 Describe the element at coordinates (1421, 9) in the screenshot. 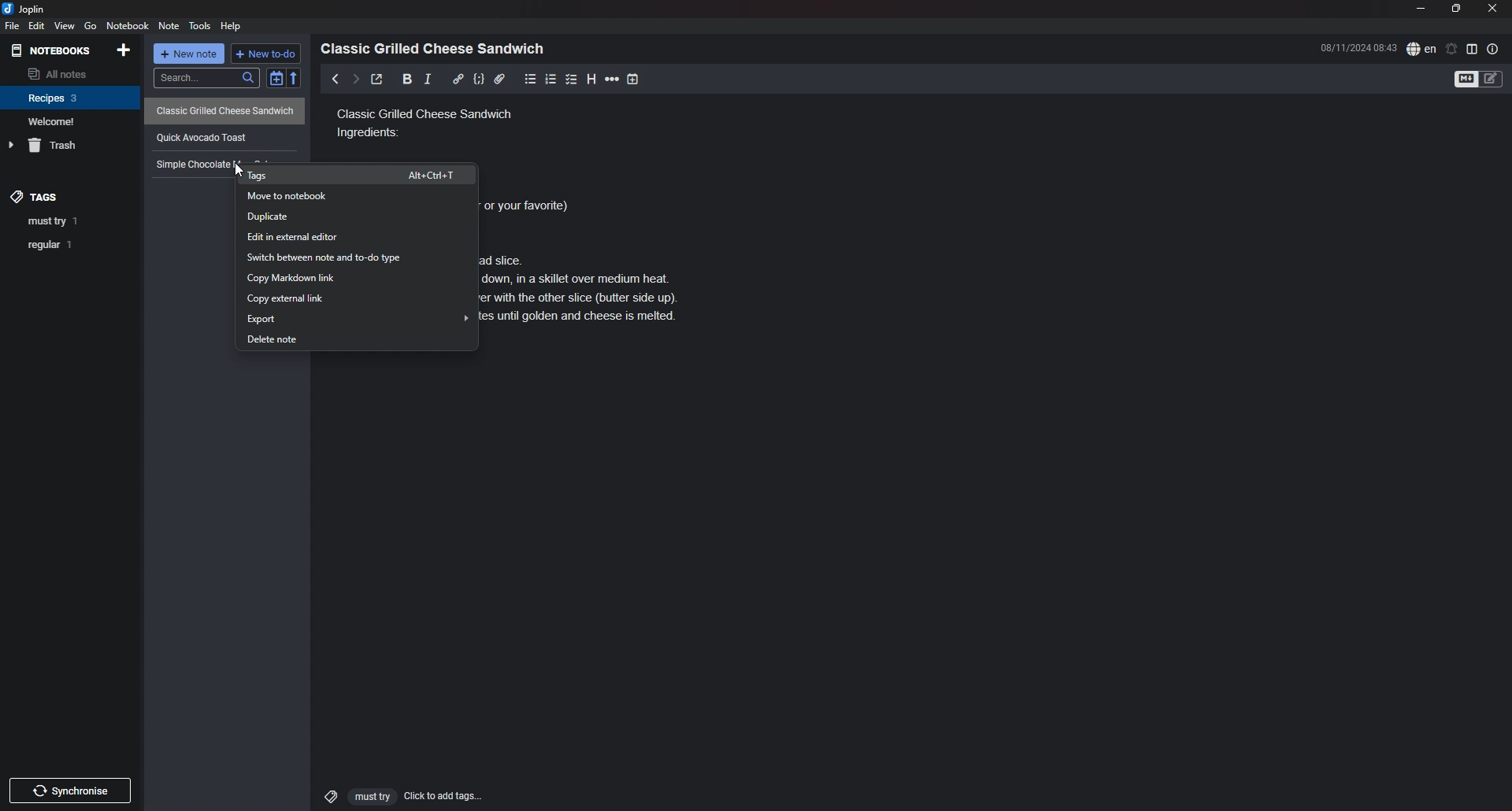

I see `minimize` at that location.